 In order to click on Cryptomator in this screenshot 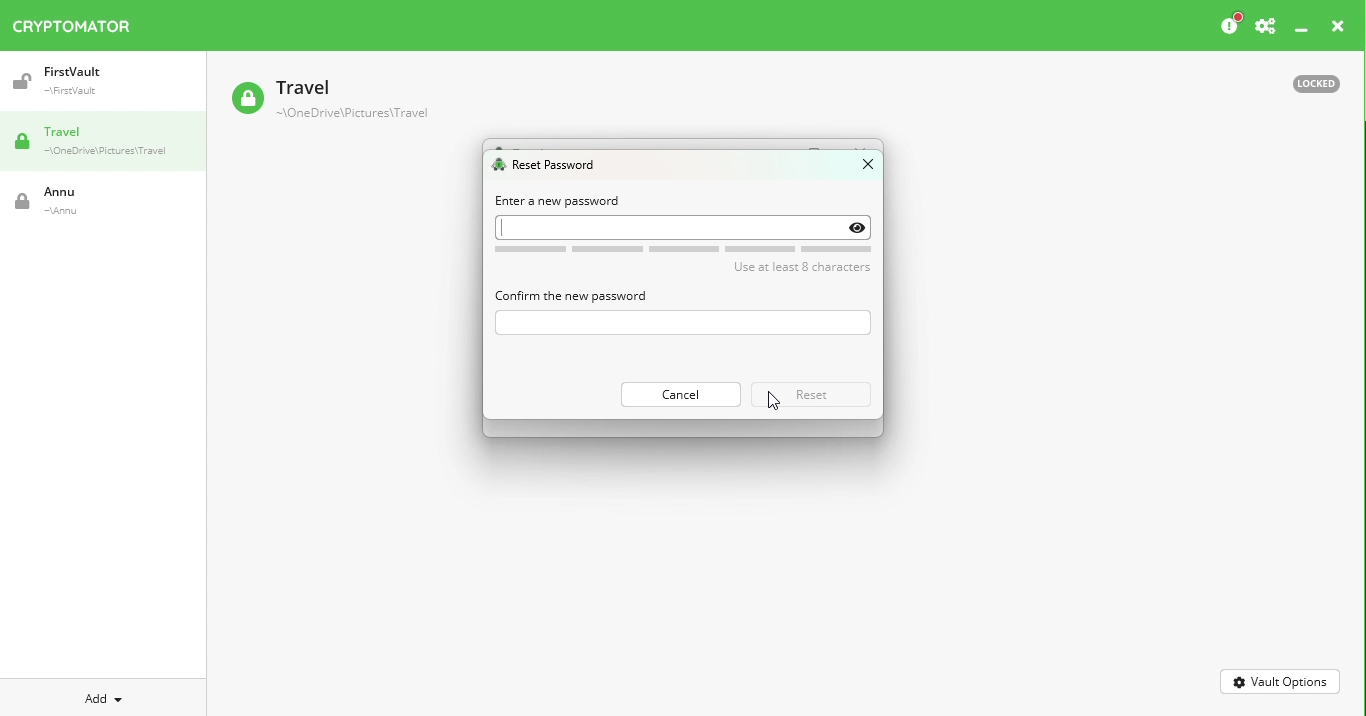, I will do `click(72, 22)`.